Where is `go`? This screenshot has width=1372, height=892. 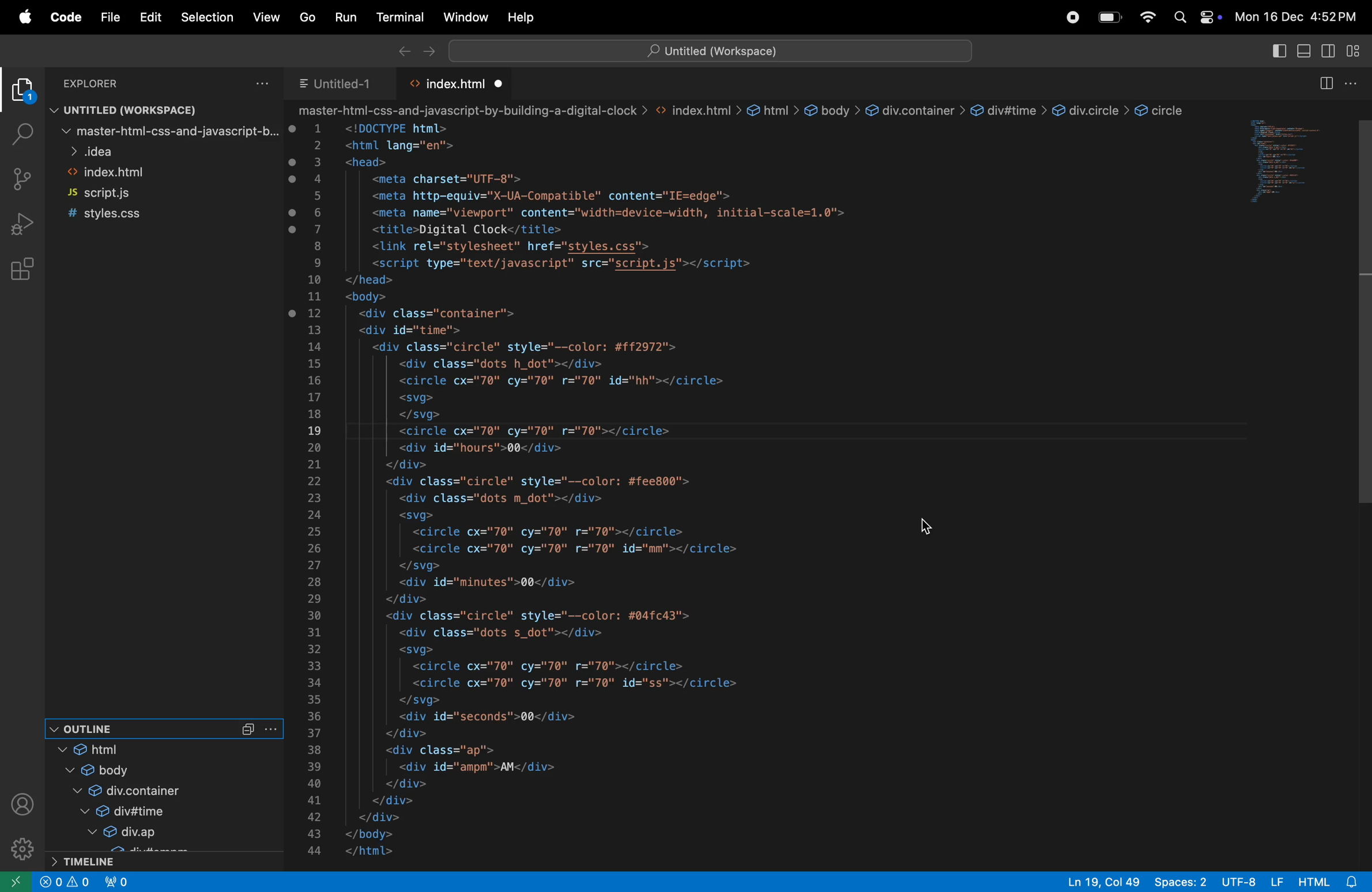 go is located at coordinates (307, 18).